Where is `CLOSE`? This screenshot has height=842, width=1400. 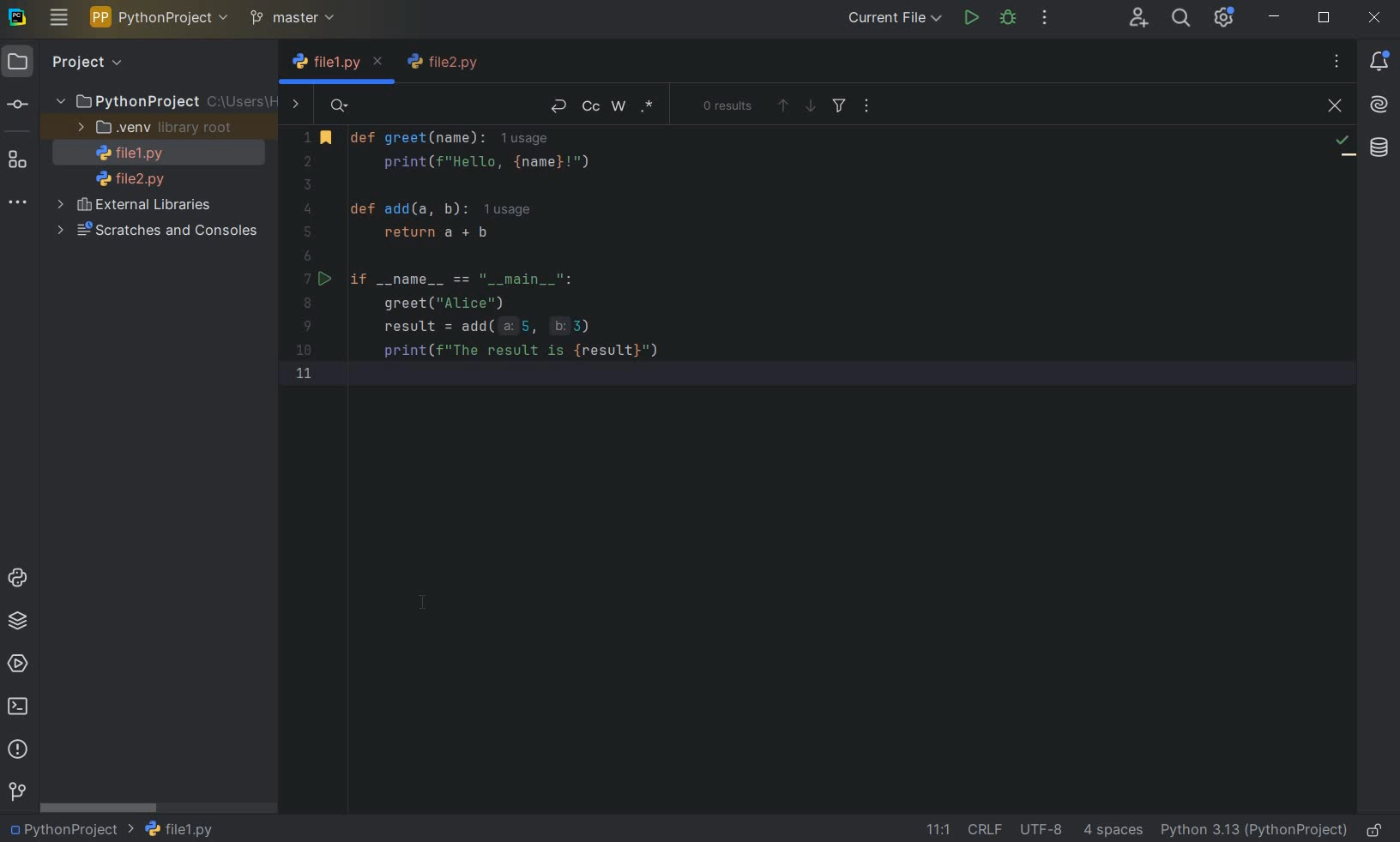
CLOSE is located at coordinates (1378, 16).